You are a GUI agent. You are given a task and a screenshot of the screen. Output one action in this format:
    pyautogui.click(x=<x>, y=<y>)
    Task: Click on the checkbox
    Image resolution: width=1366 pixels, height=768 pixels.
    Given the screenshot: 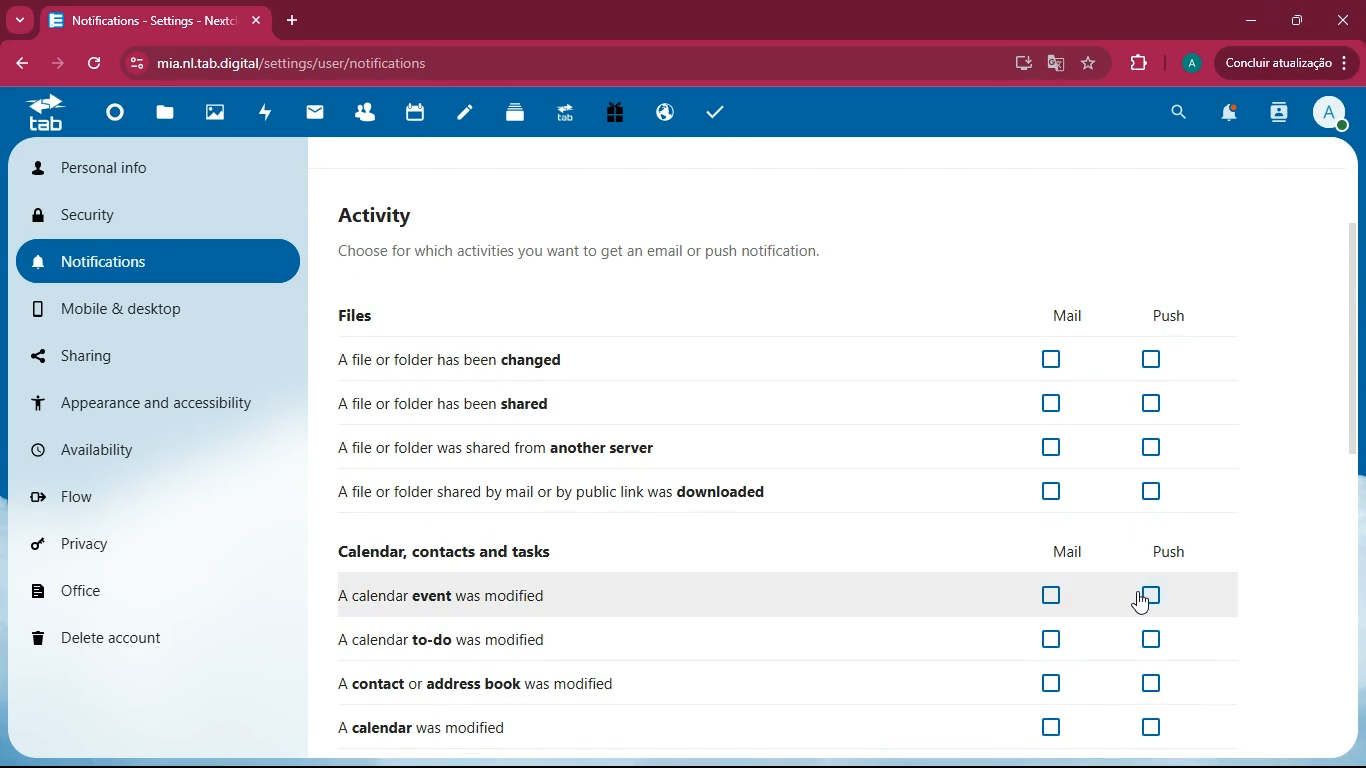 What is the action you would take?
    pyautogui.click(x=1151, y=449)
    